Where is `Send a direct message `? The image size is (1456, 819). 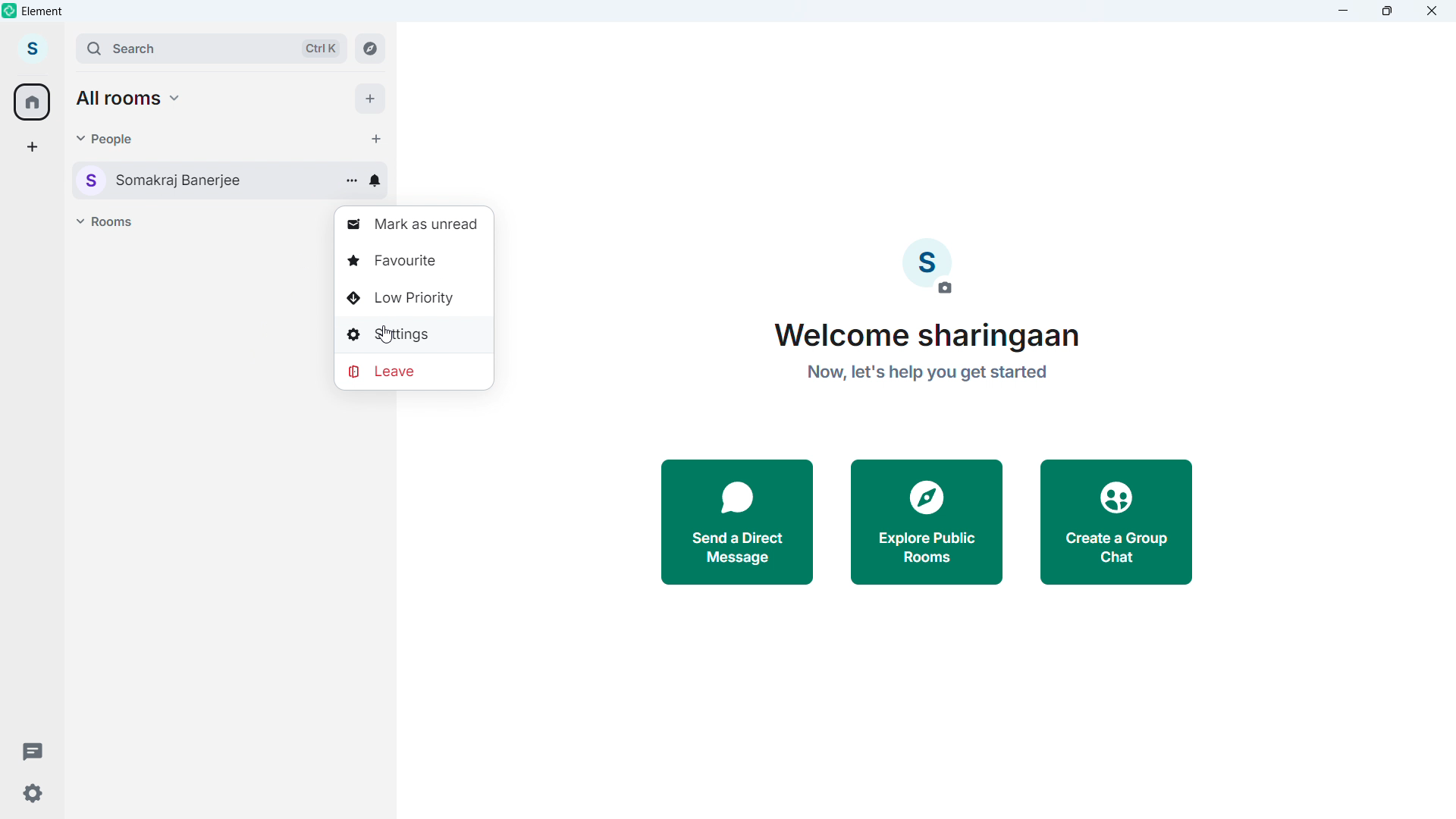 Send a direct message  is located at coordinates (737, 524).